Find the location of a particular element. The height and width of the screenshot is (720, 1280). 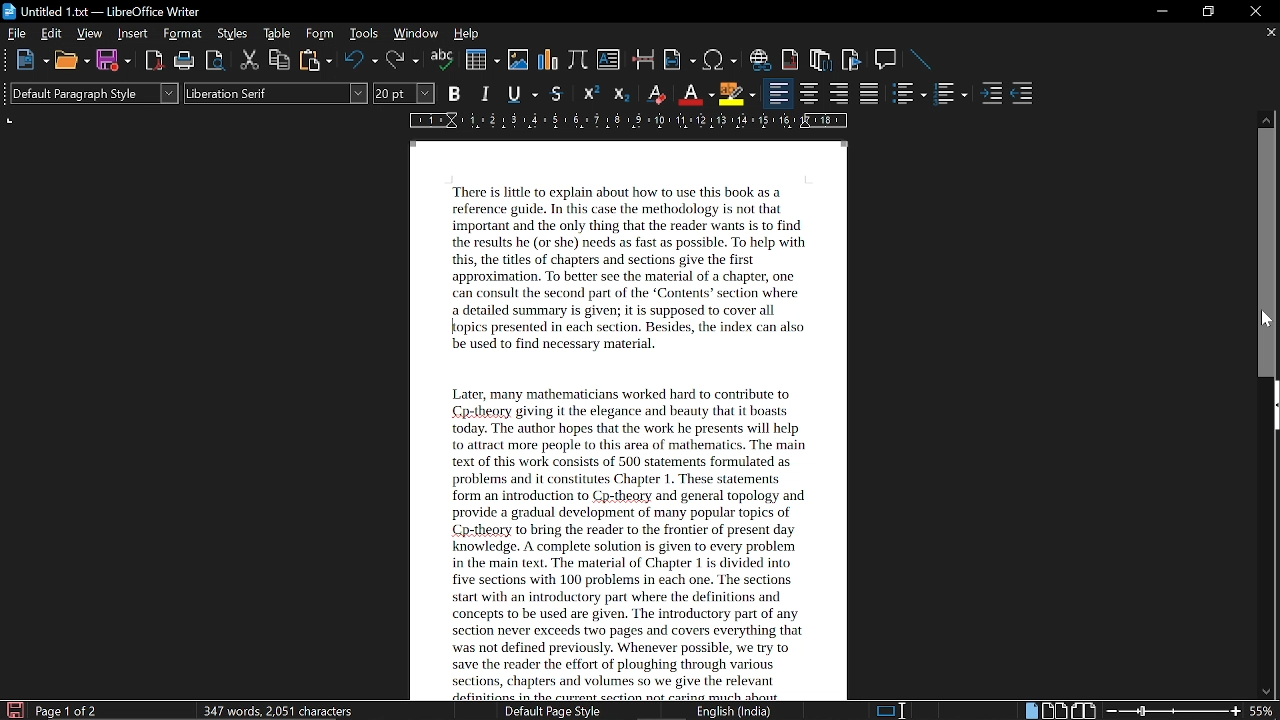

spelling is located at coordinates (443, 61).